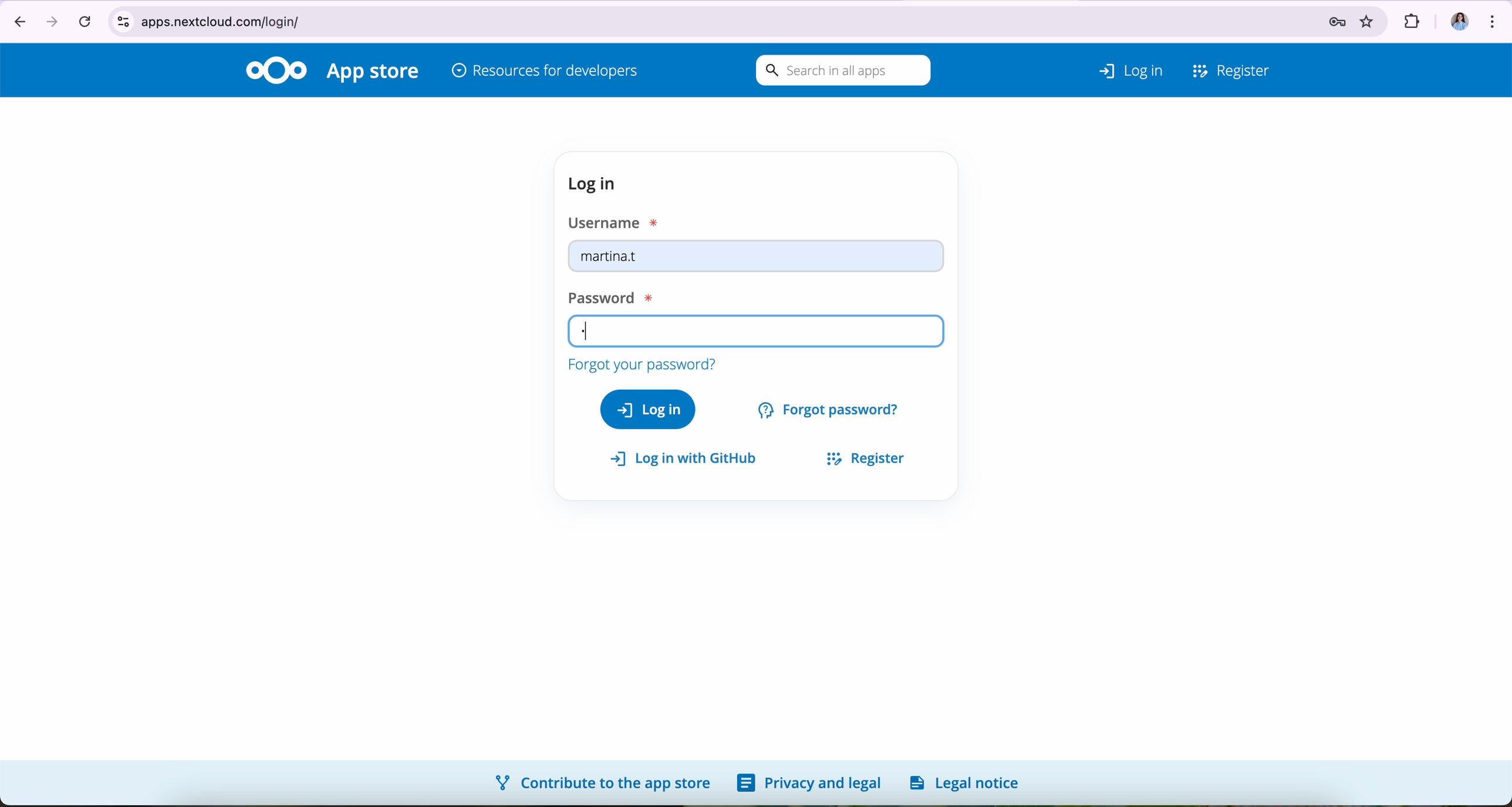  Describe the element at coordinates (648, 408) in the screenshot. I see `log in ` at that location.